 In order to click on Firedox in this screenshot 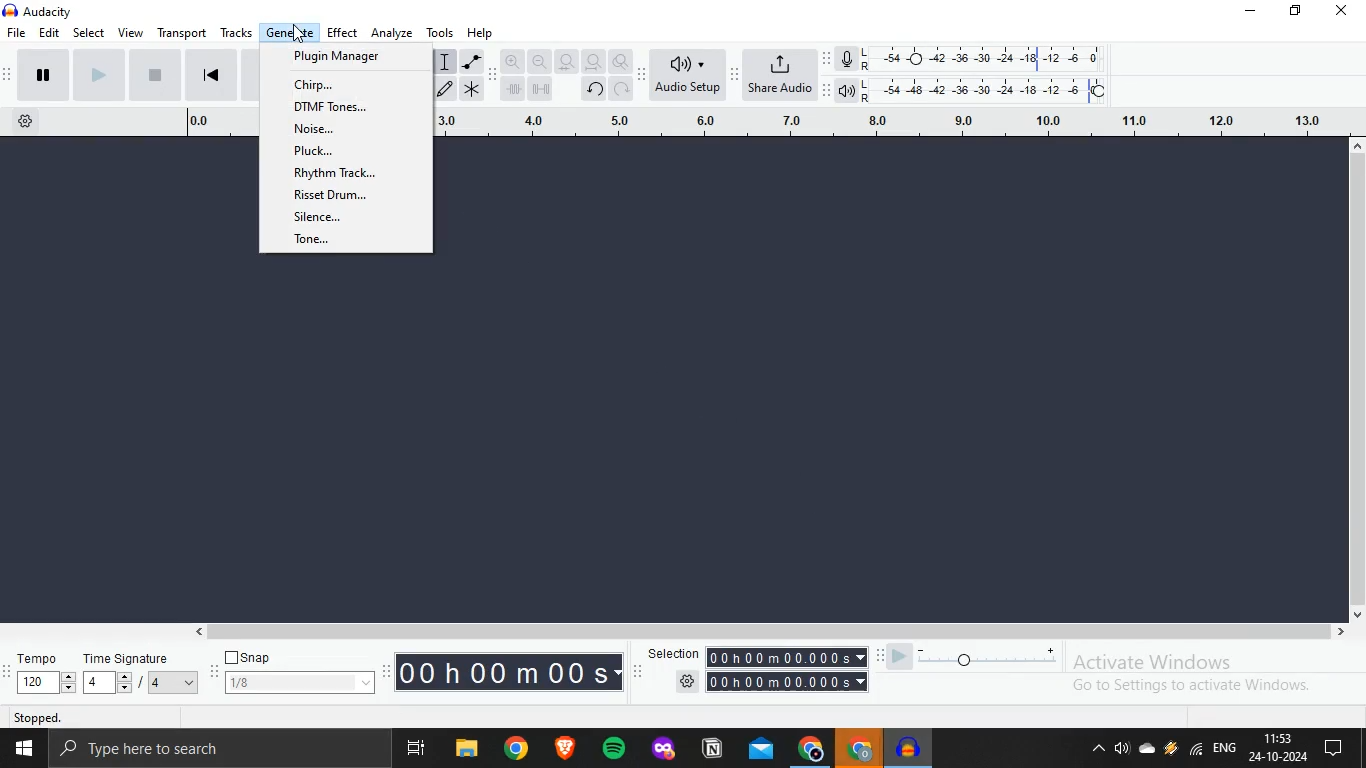, I will do `click(663, 750)`.